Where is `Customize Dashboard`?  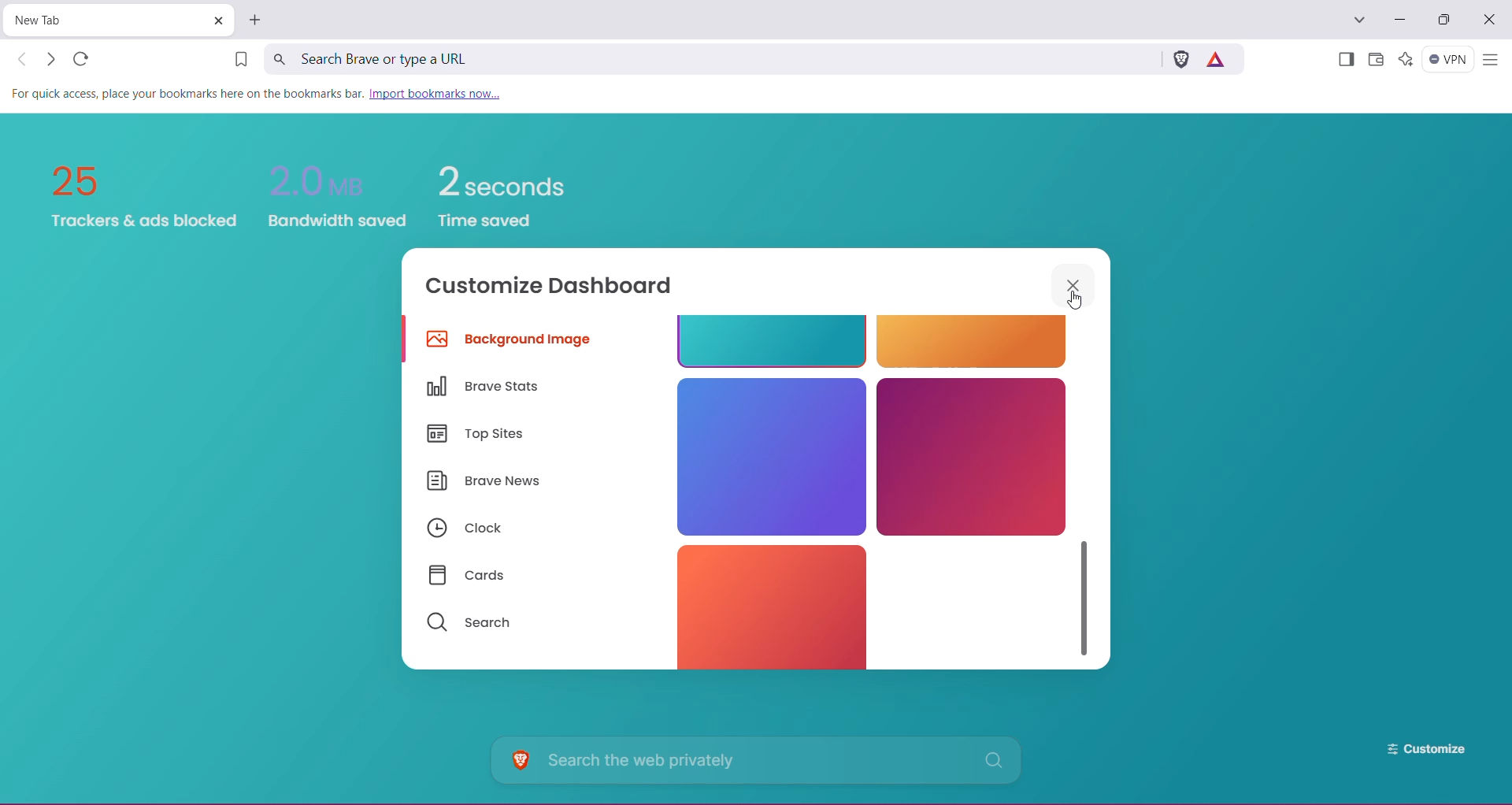
Customize Dashboard is located at coordinates (560, 288).